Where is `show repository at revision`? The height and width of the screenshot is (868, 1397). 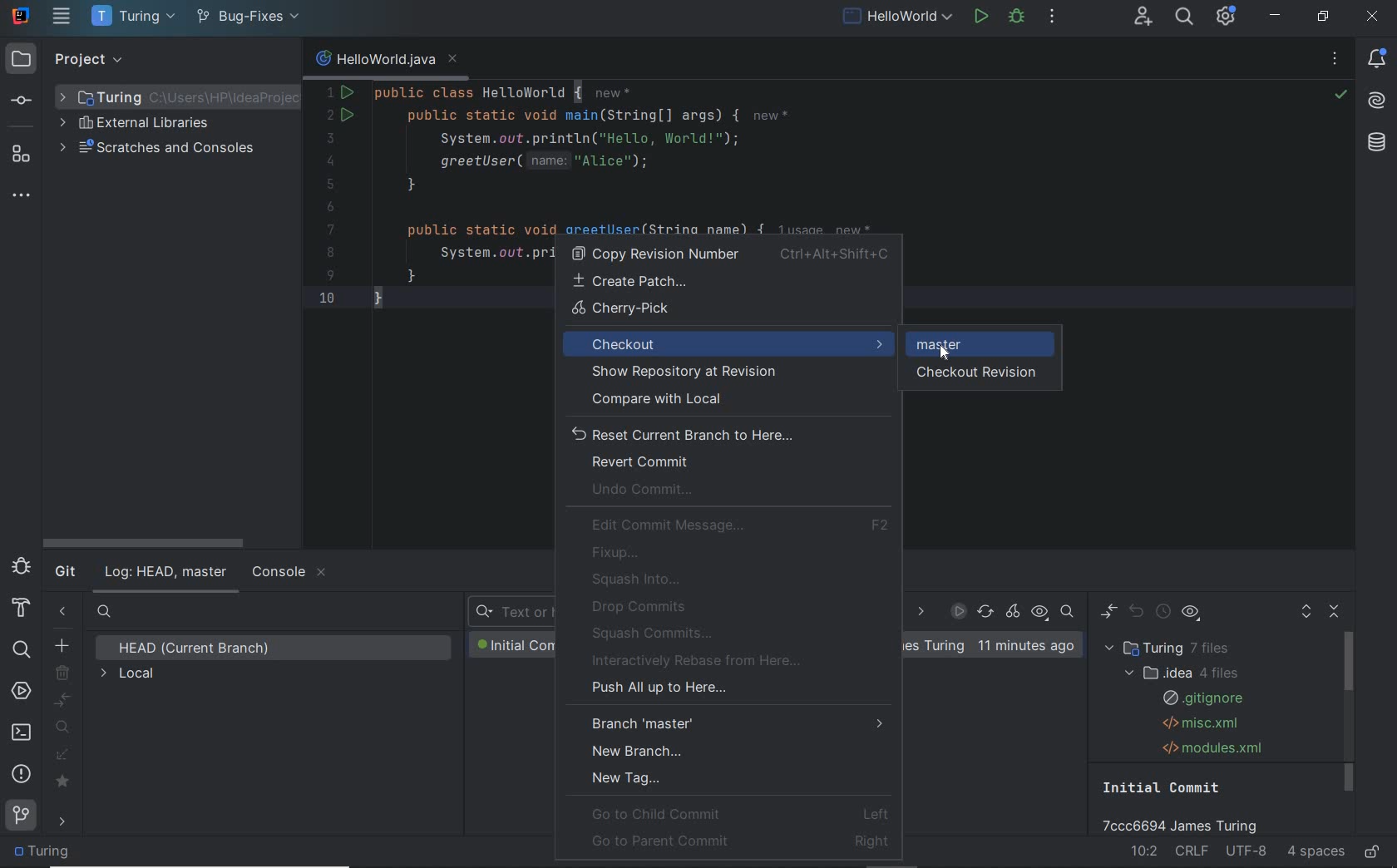
show repository at revision is located at coordinates (724, 373).